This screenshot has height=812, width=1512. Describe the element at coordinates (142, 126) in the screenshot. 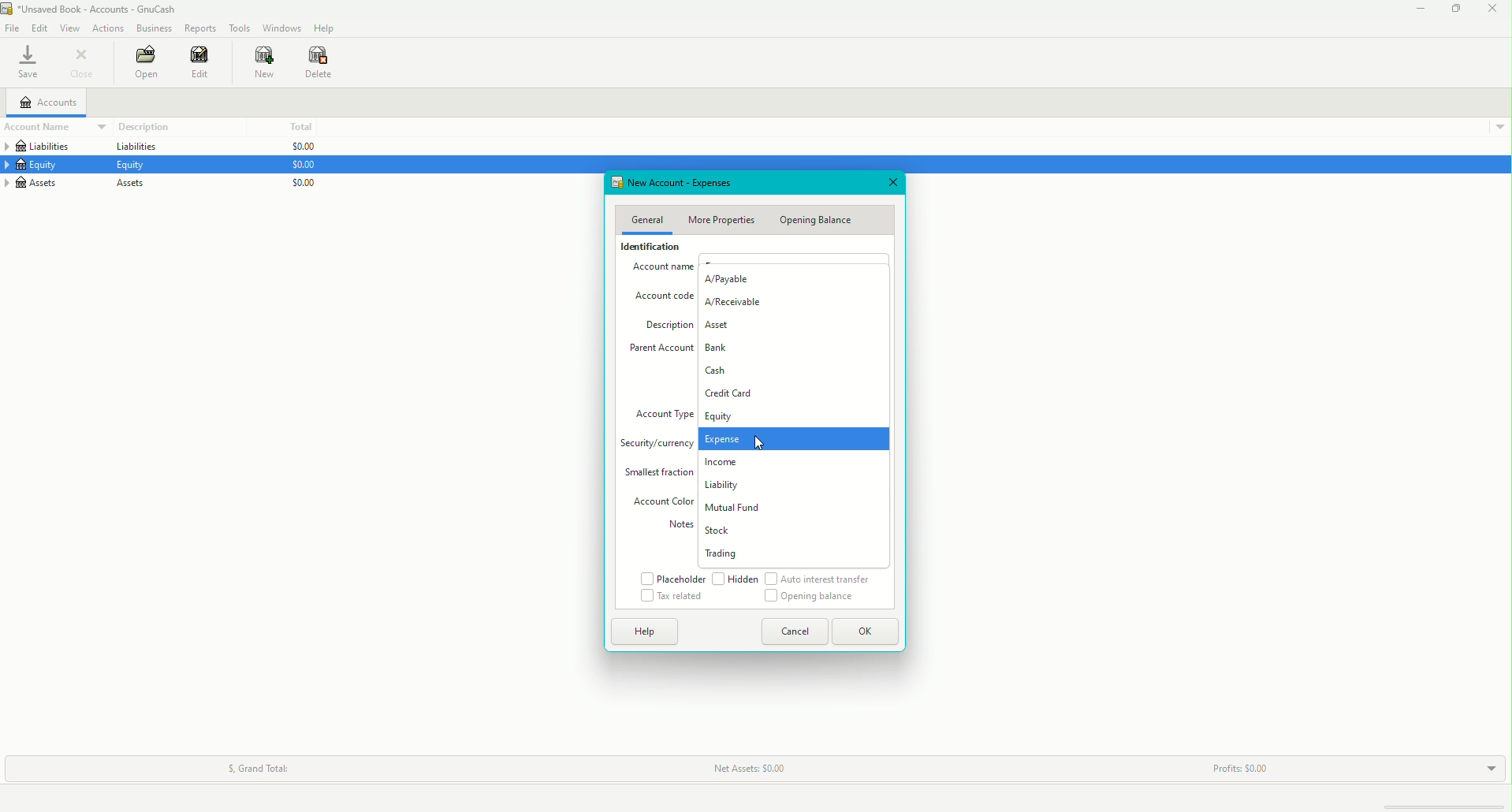

I see `Description` at that location.